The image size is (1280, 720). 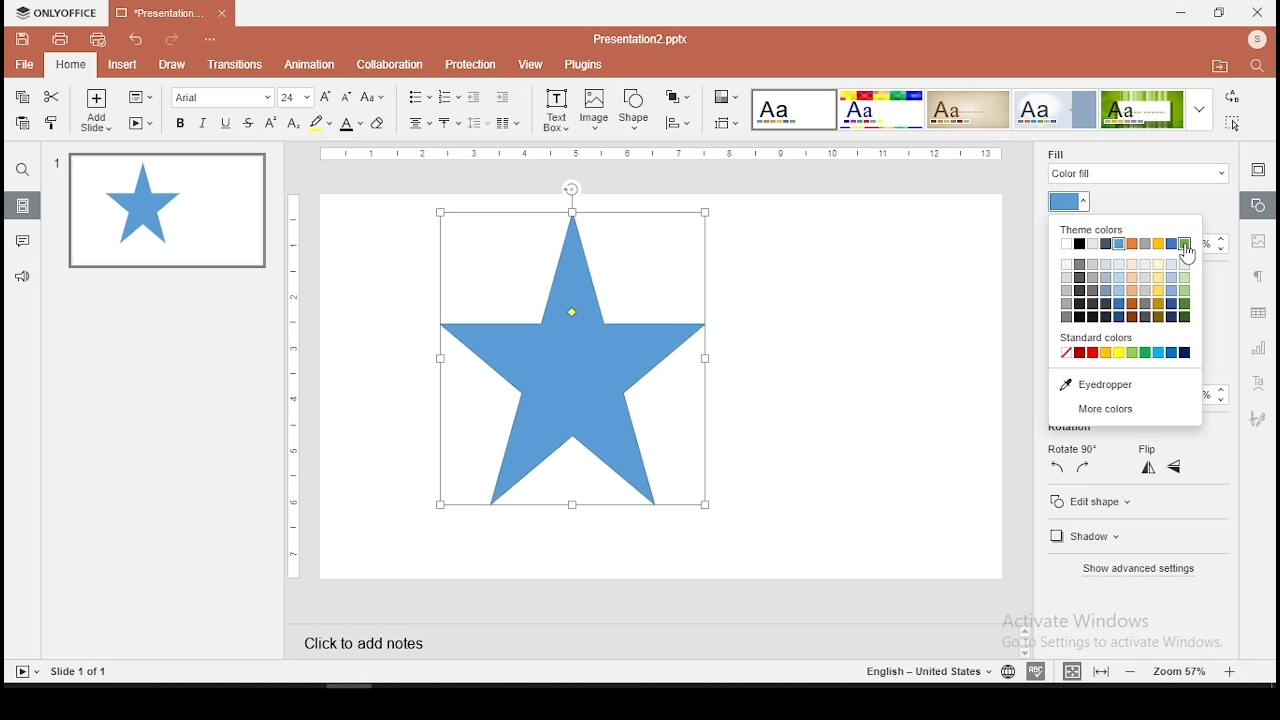 What do you see at coordinates (1070, 448) in the screenshot?
I see `rotate 90` at bounding box center [1070, 448].